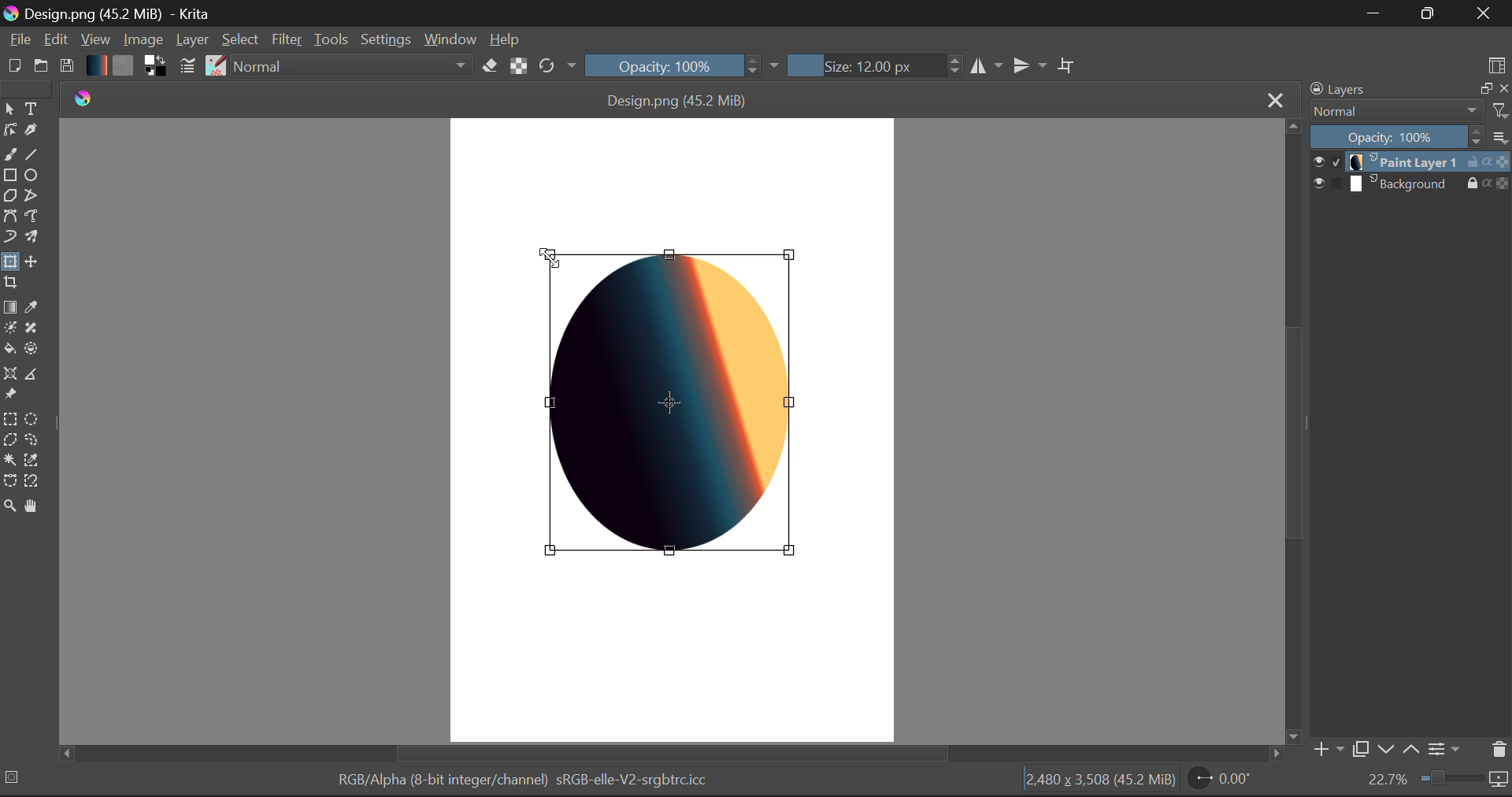  What do you see at coordinates (66, 66) in the screenshot?
I see `Save` at bounding box center [66, 66].